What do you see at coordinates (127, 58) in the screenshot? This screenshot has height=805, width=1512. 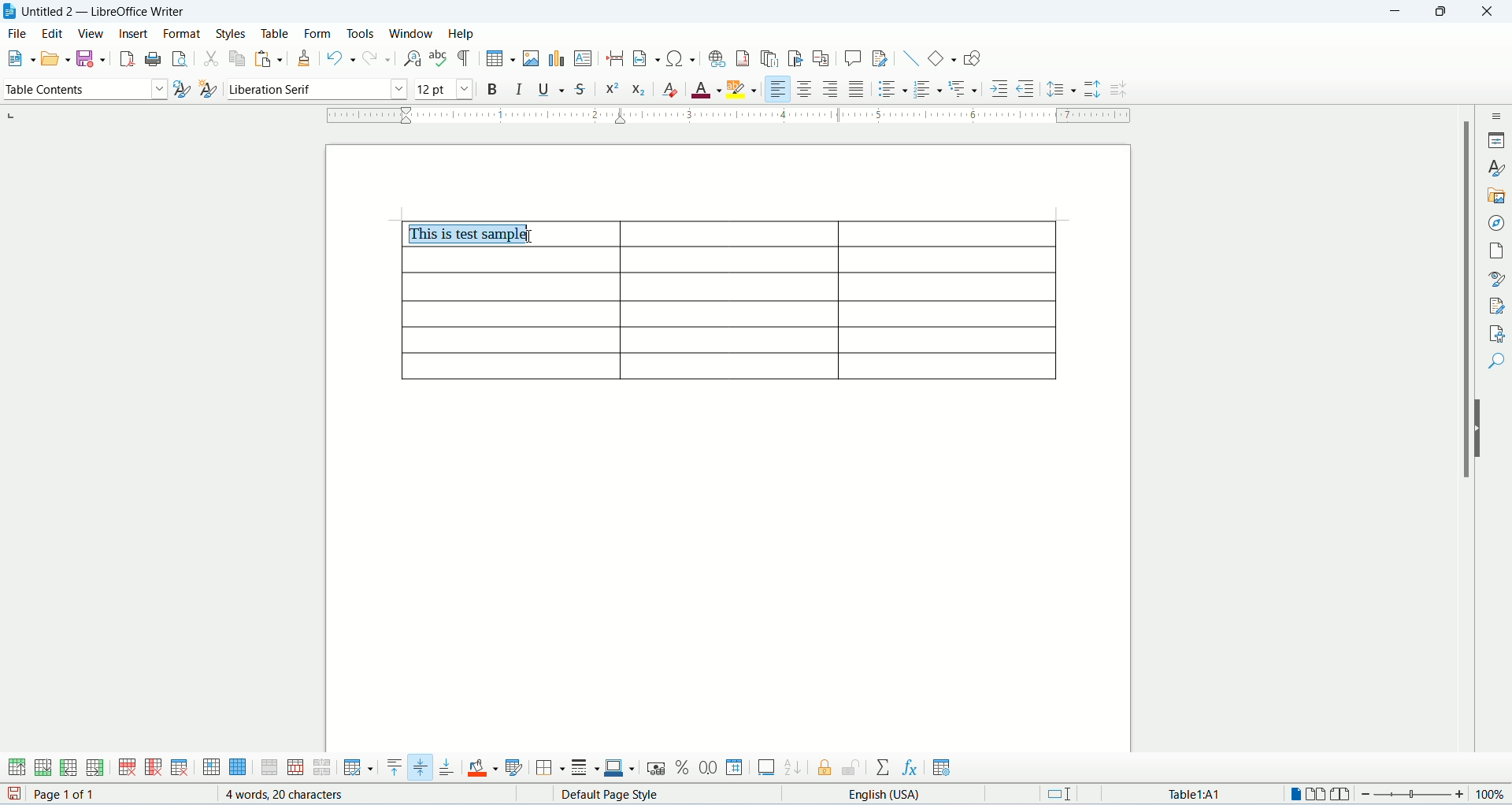 I see `export as pdf` at bounding box center [127, 58].